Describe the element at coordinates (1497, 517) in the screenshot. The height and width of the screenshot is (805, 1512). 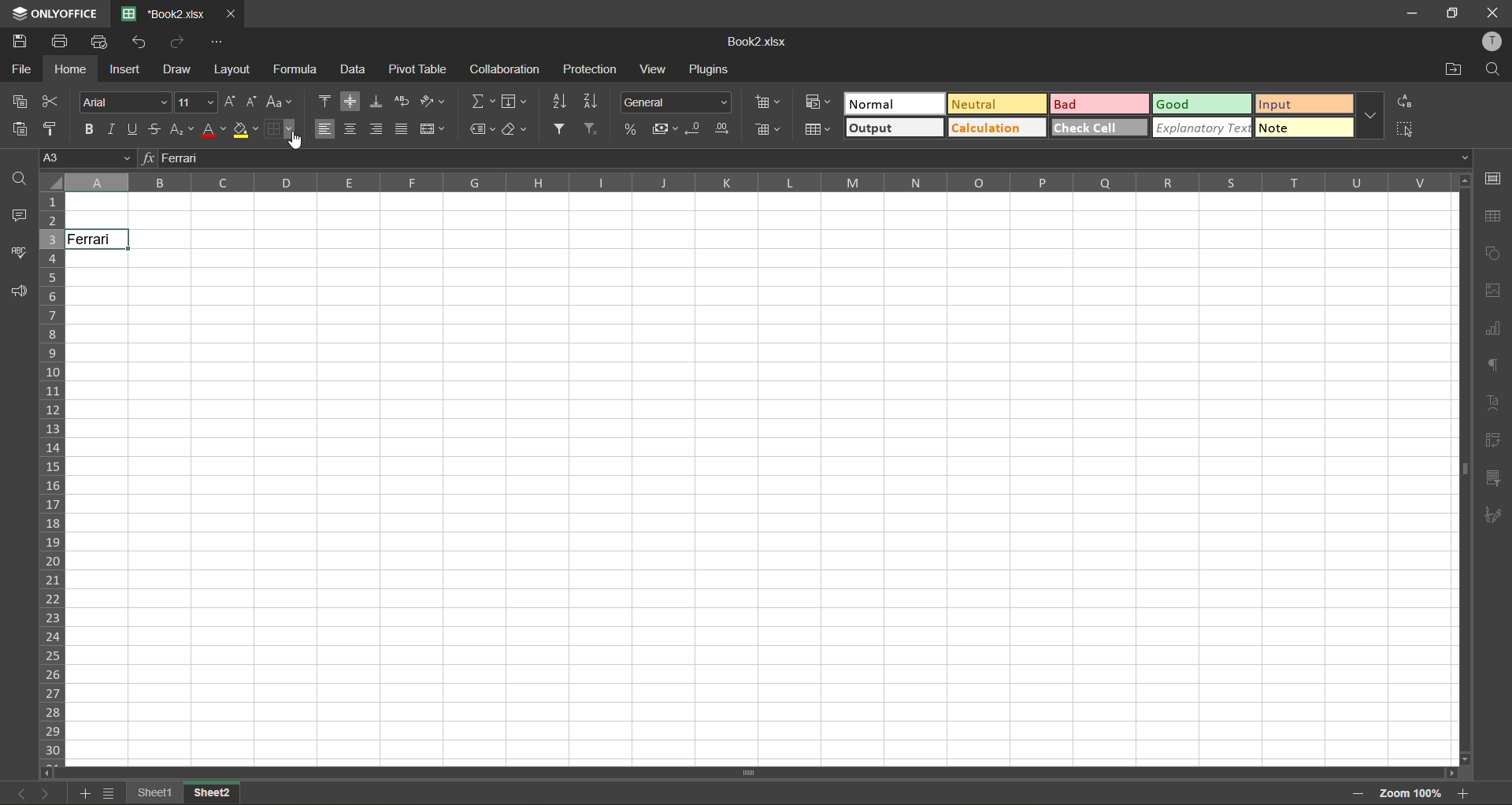
I see `signature` at that location.